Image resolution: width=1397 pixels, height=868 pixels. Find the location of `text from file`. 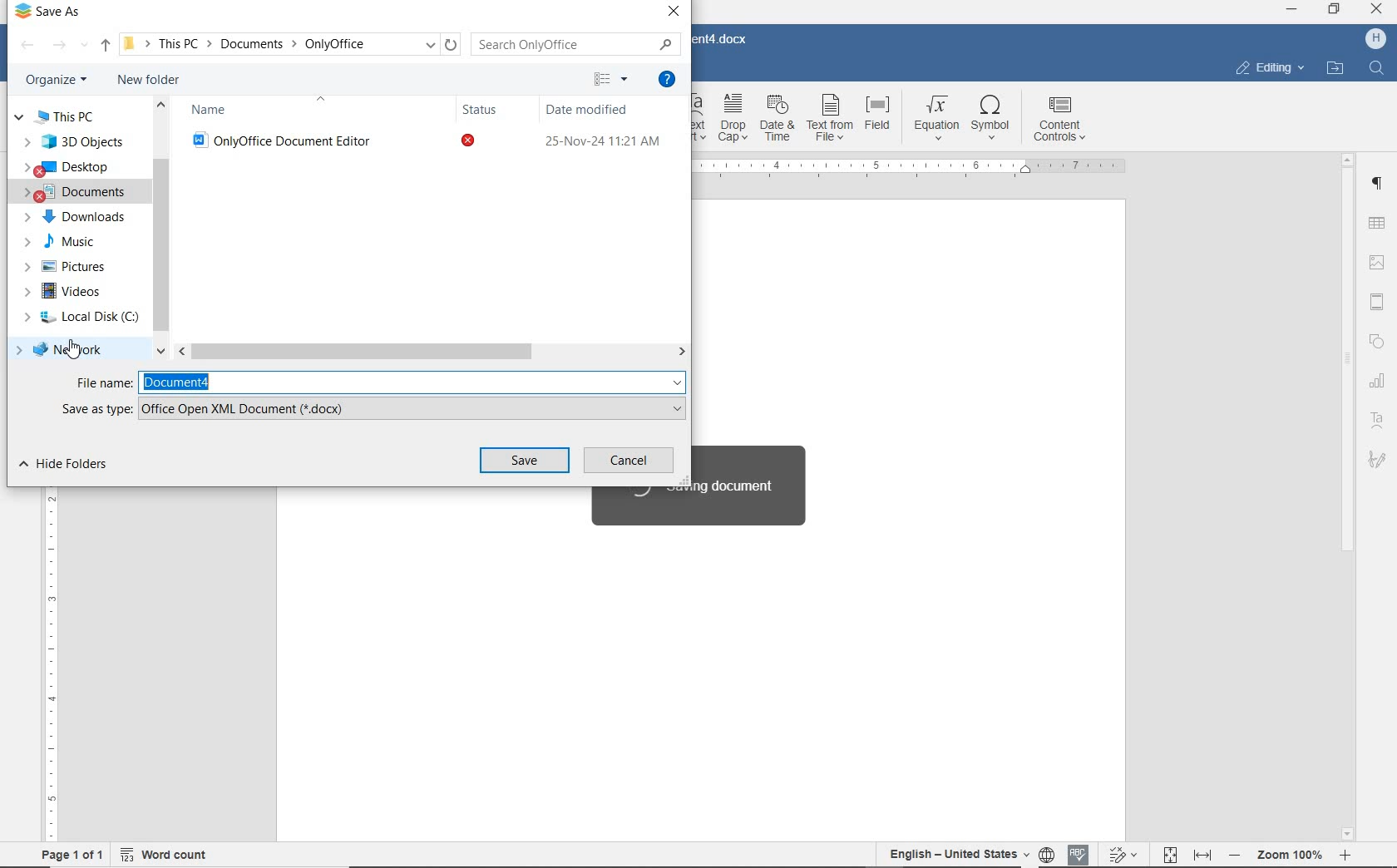

text from file is located at coordinates (829, 118).